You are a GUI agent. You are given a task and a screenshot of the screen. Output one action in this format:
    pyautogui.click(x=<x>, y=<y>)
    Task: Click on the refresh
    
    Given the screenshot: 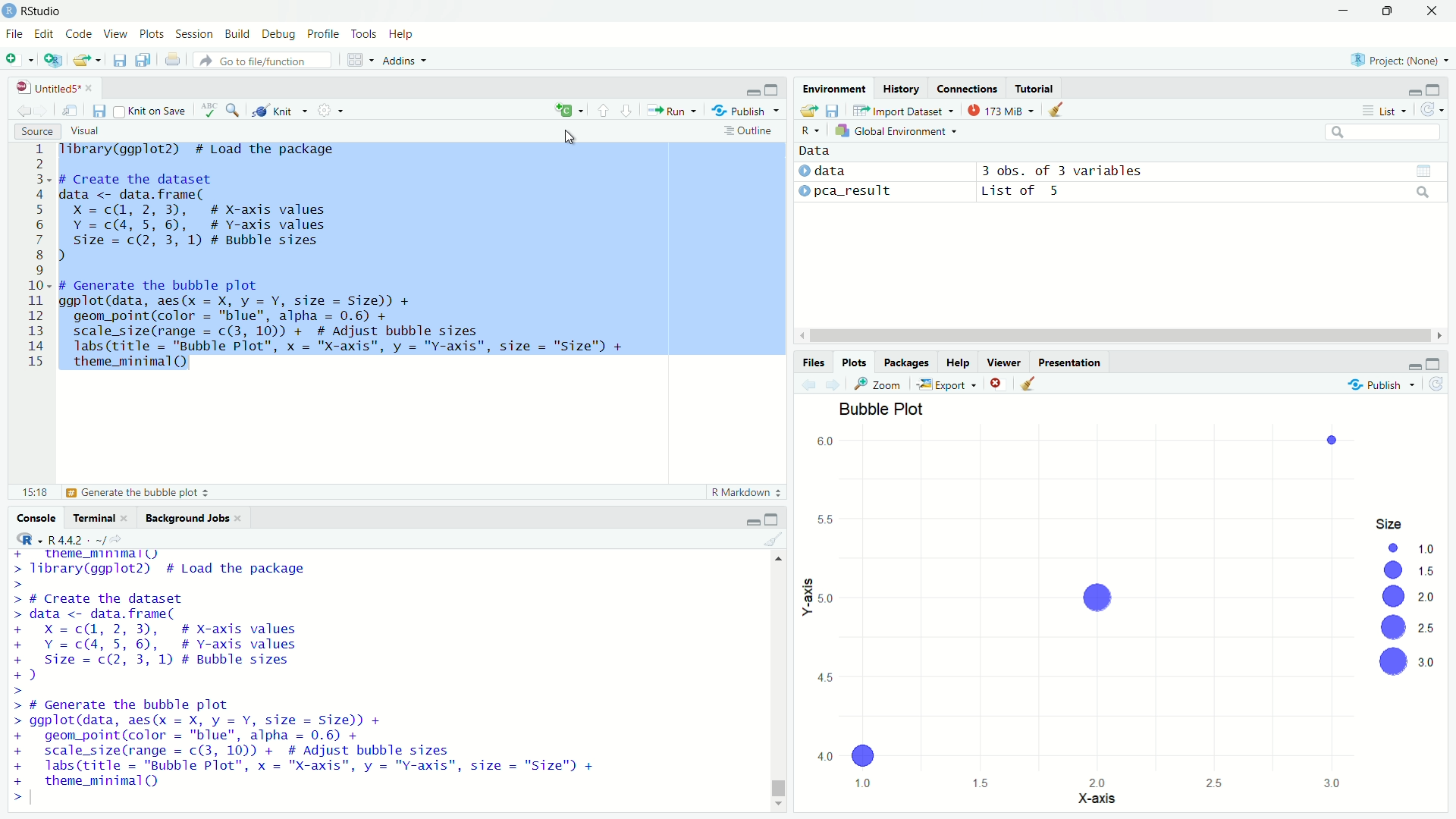 What is the action you would take?
    pyautogui.click(x=1433, y=109)
    